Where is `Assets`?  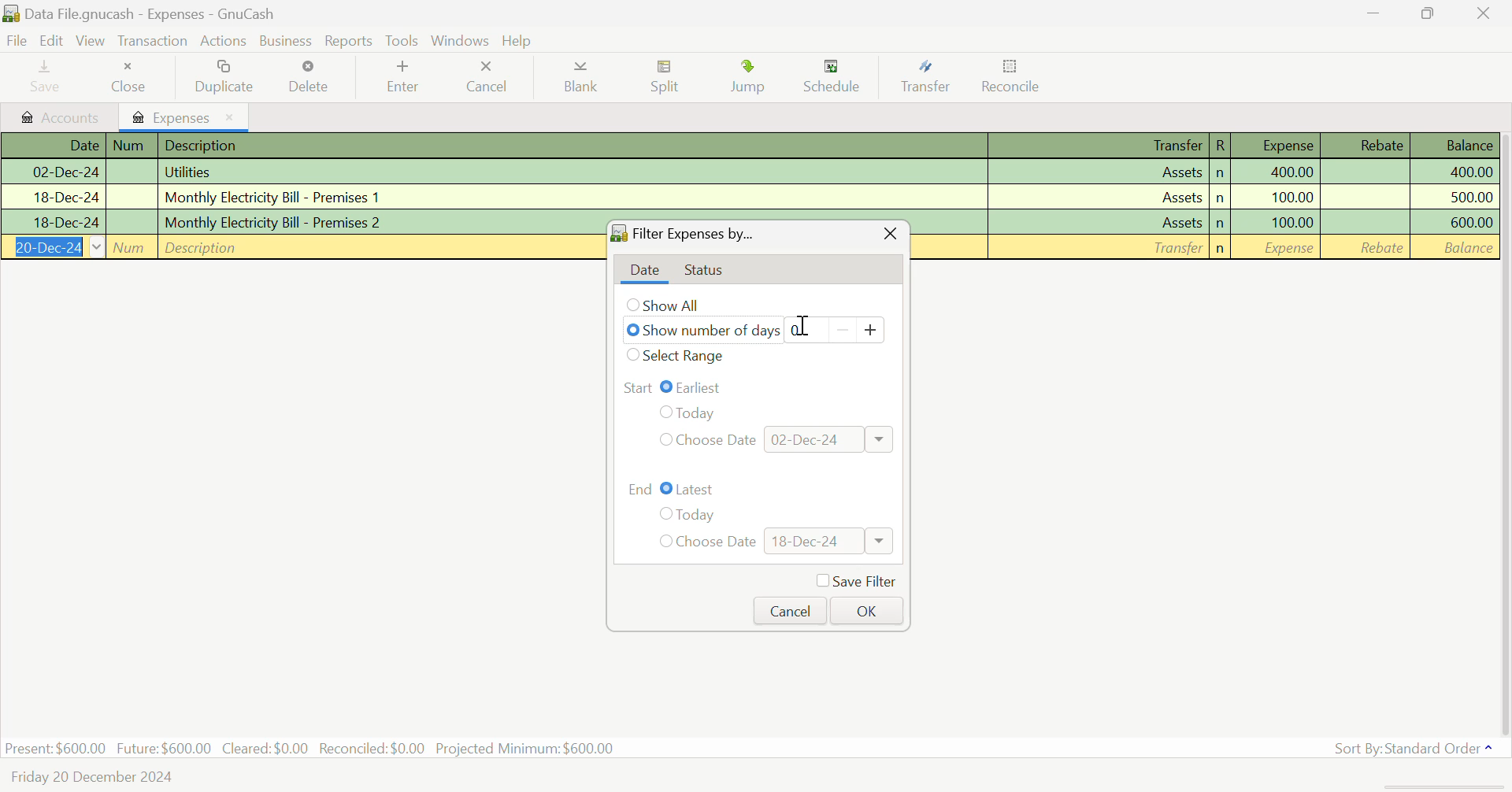
Assets is located at coordinates (1098, 171).